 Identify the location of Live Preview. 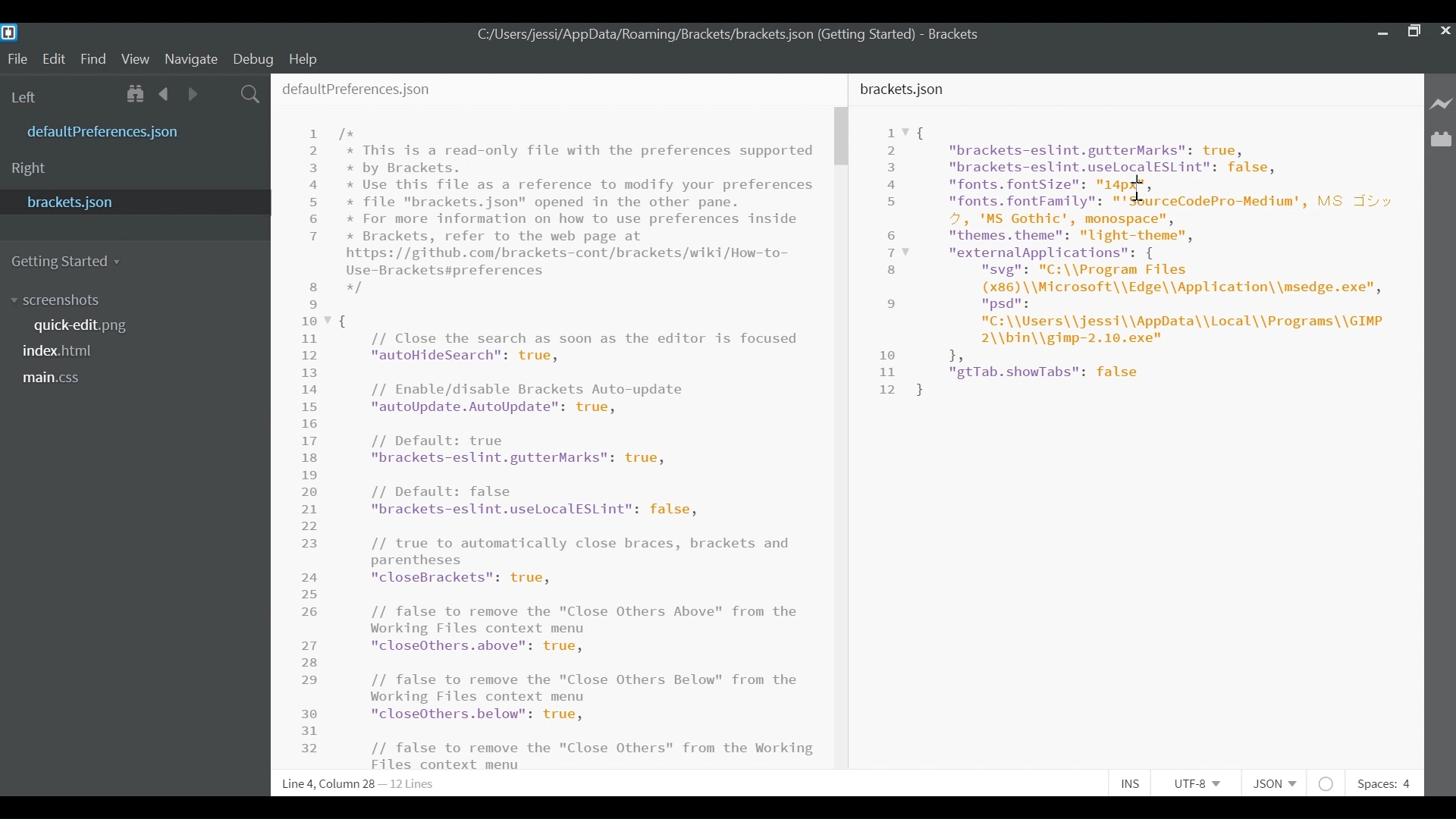
(1442, 103).